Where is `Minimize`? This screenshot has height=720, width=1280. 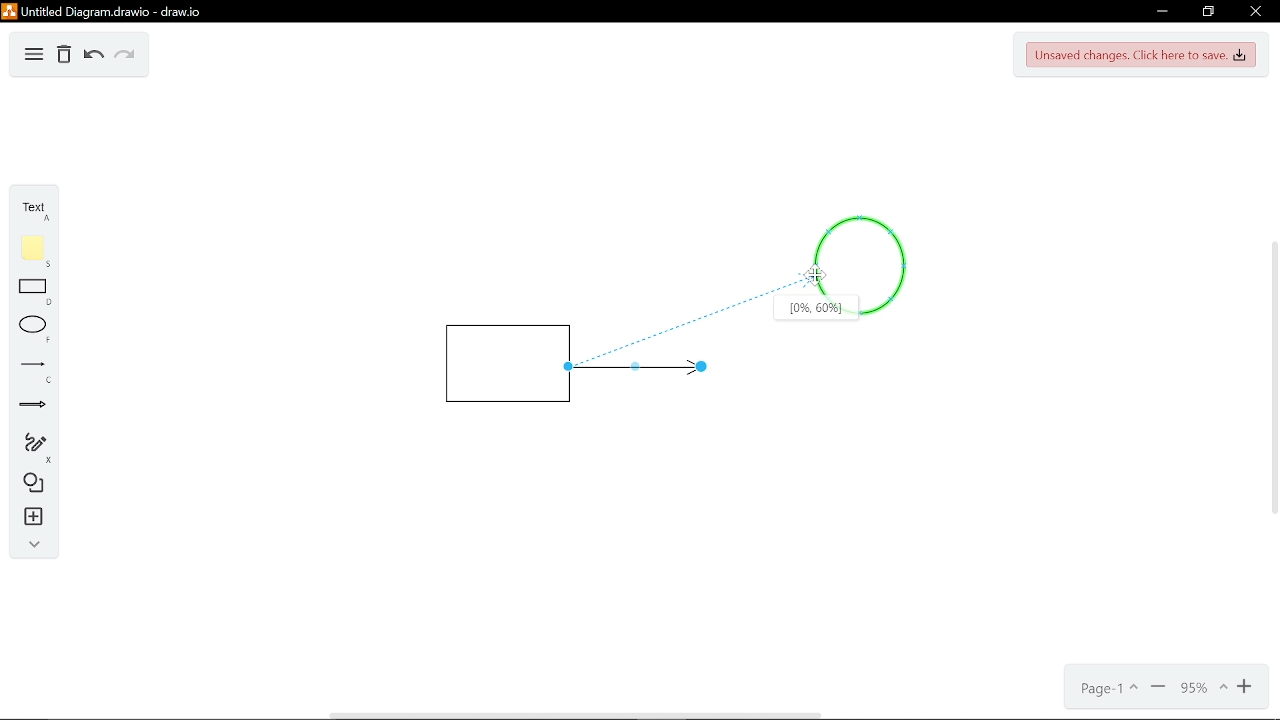
Minimize is located at coordinates (1162, 11).